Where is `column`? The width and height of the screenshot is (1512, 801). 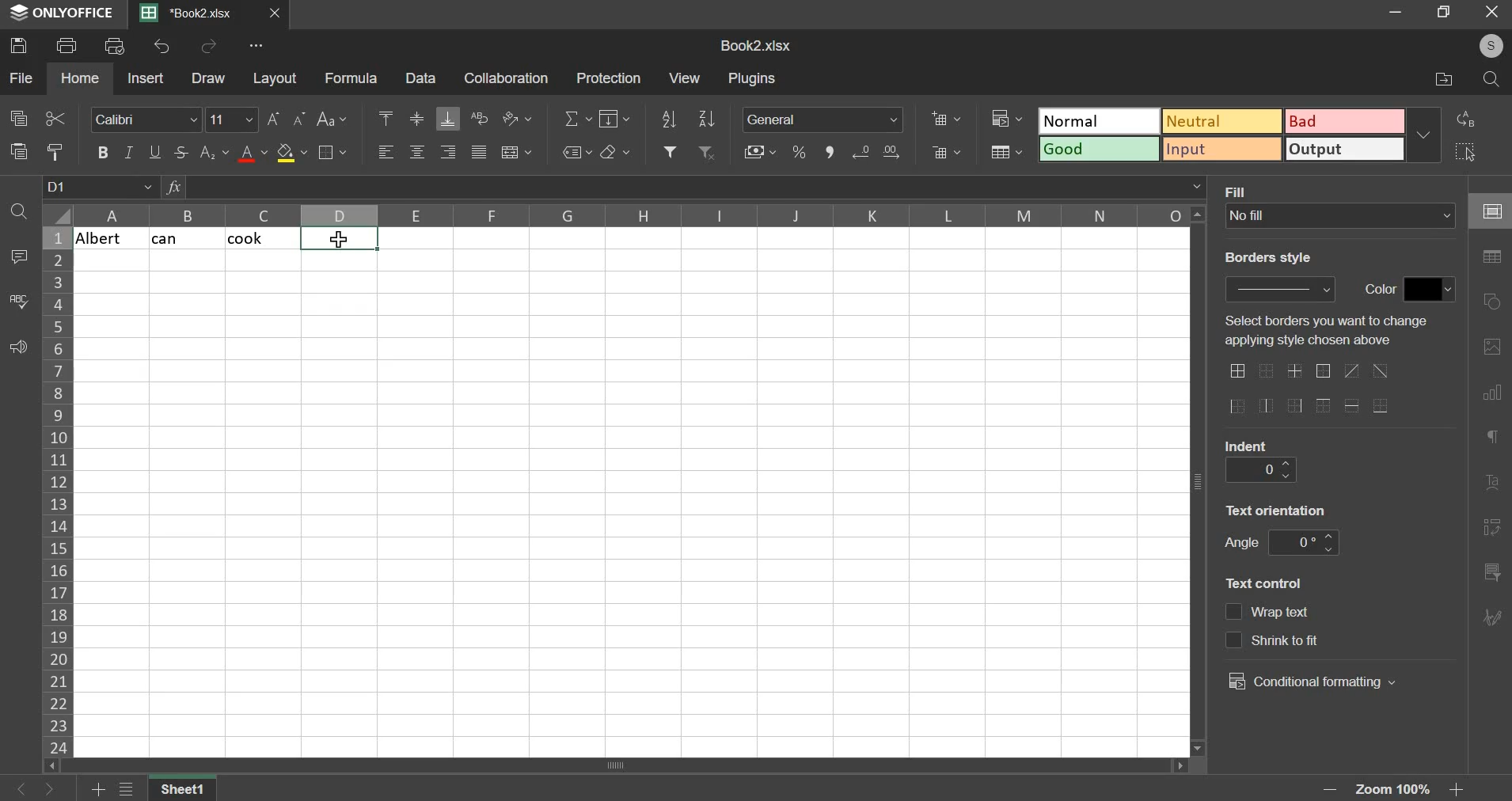 column is located at coordinates (56, 491).